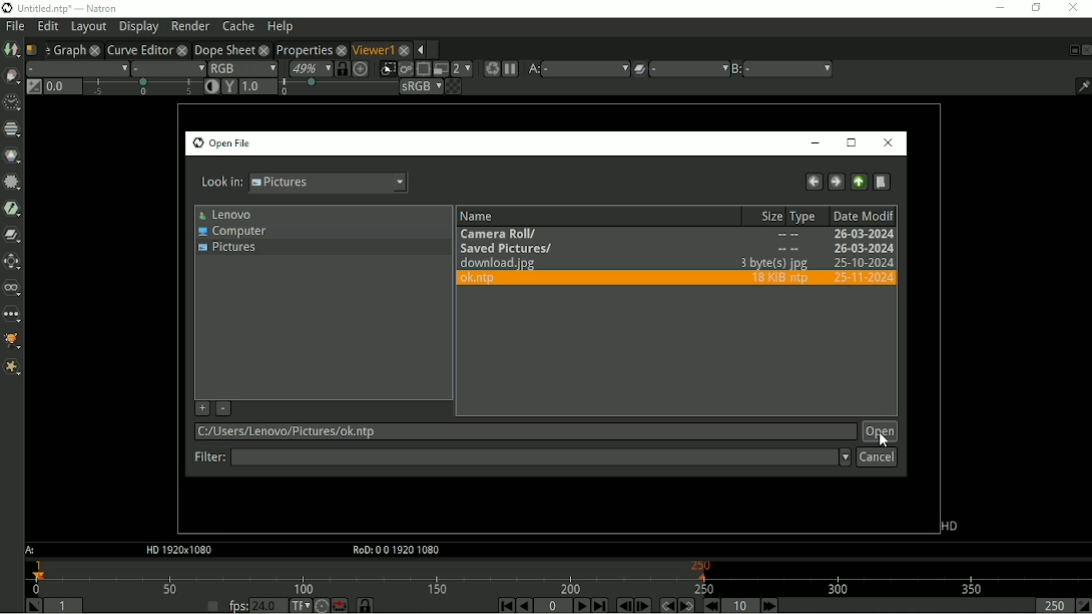 This screenshot has height=614, width=1092. What do you see at coordinates (558, 576) in the screenshot?
I see `Timeline` at bounding box center [558, 576].